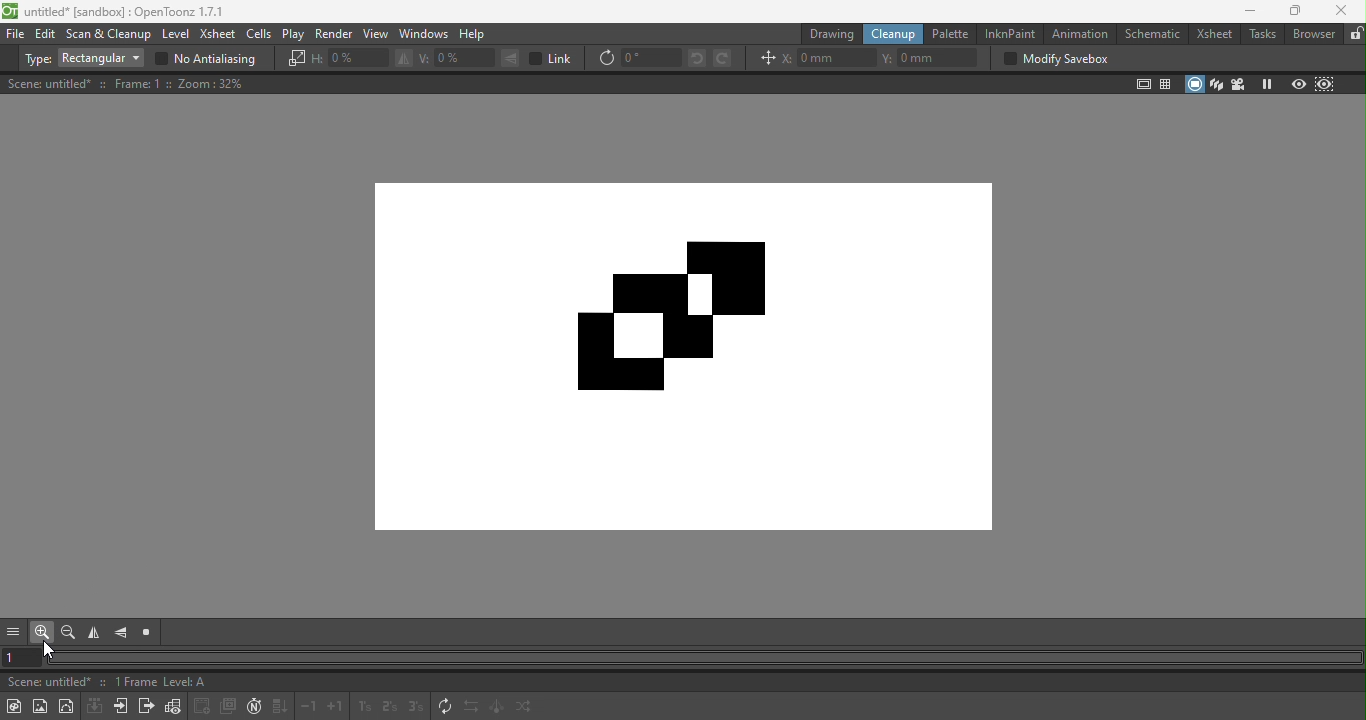  I want to click on Auto Input cell number, so click(254, 707).